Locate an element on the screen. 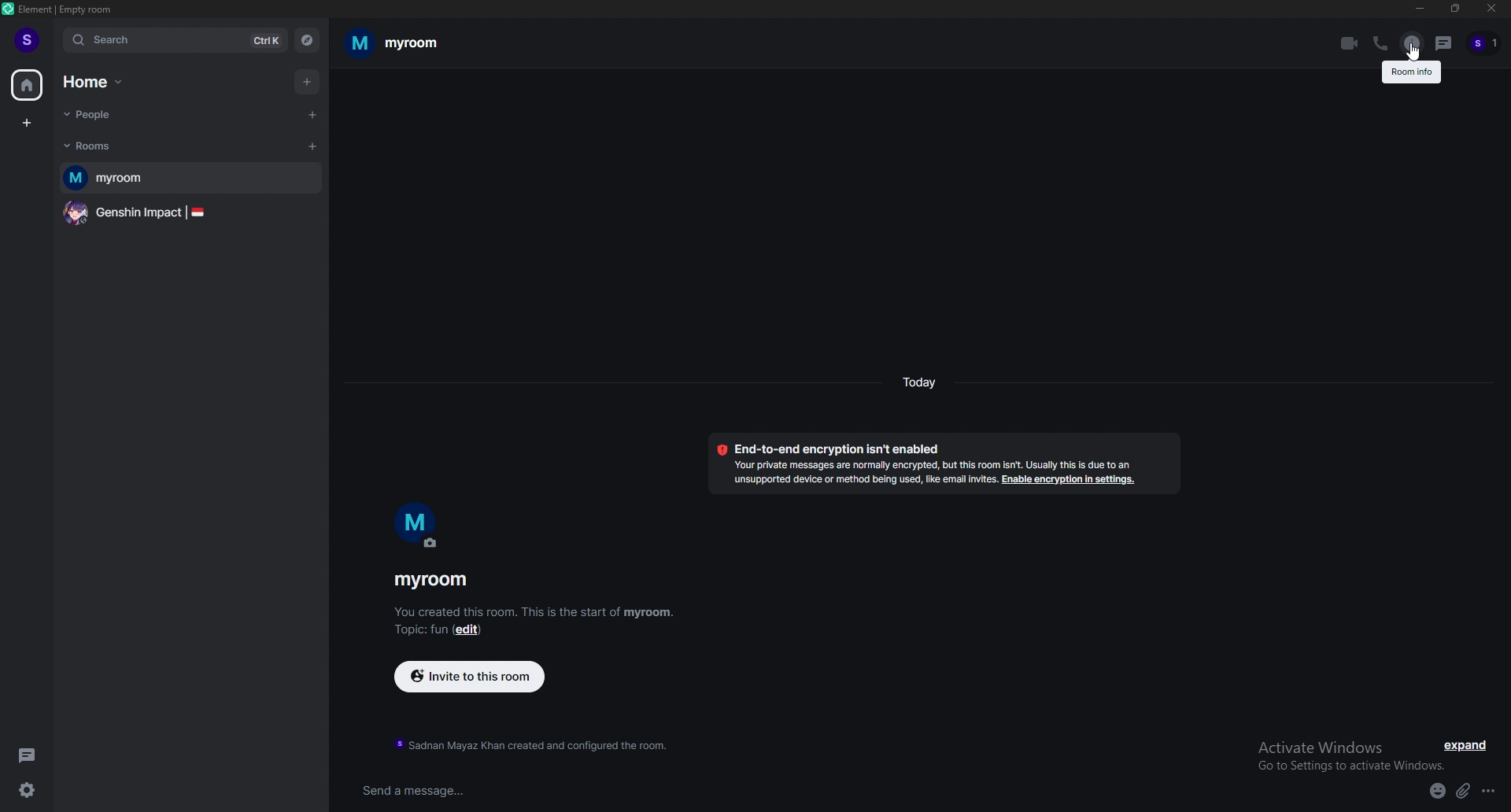 The width and height of the screenshot is (1511, 812). invite to this room is located at coordinates (468, 675).